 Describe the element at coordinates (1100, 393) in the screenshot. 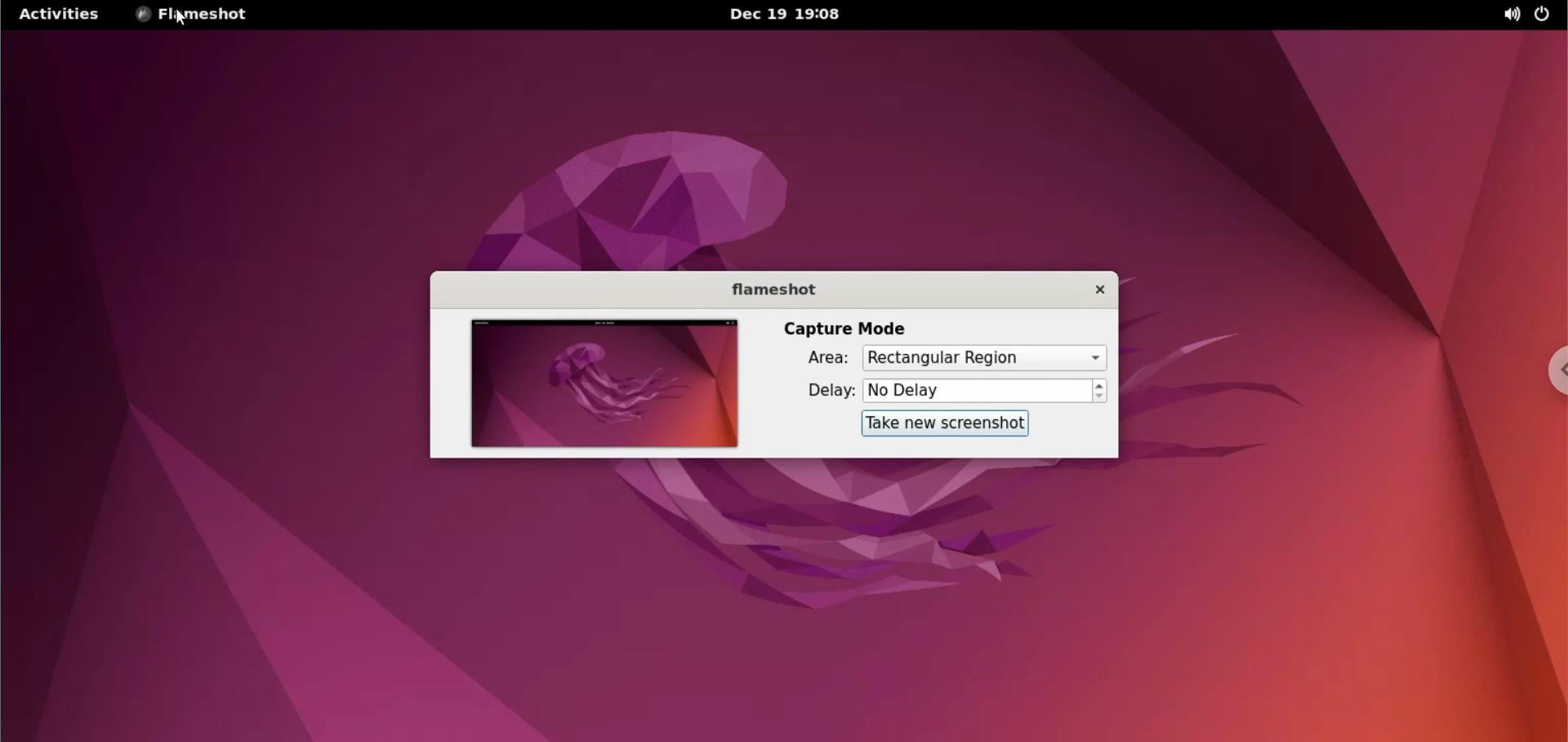

I see `increment and decrement delay` at that location.